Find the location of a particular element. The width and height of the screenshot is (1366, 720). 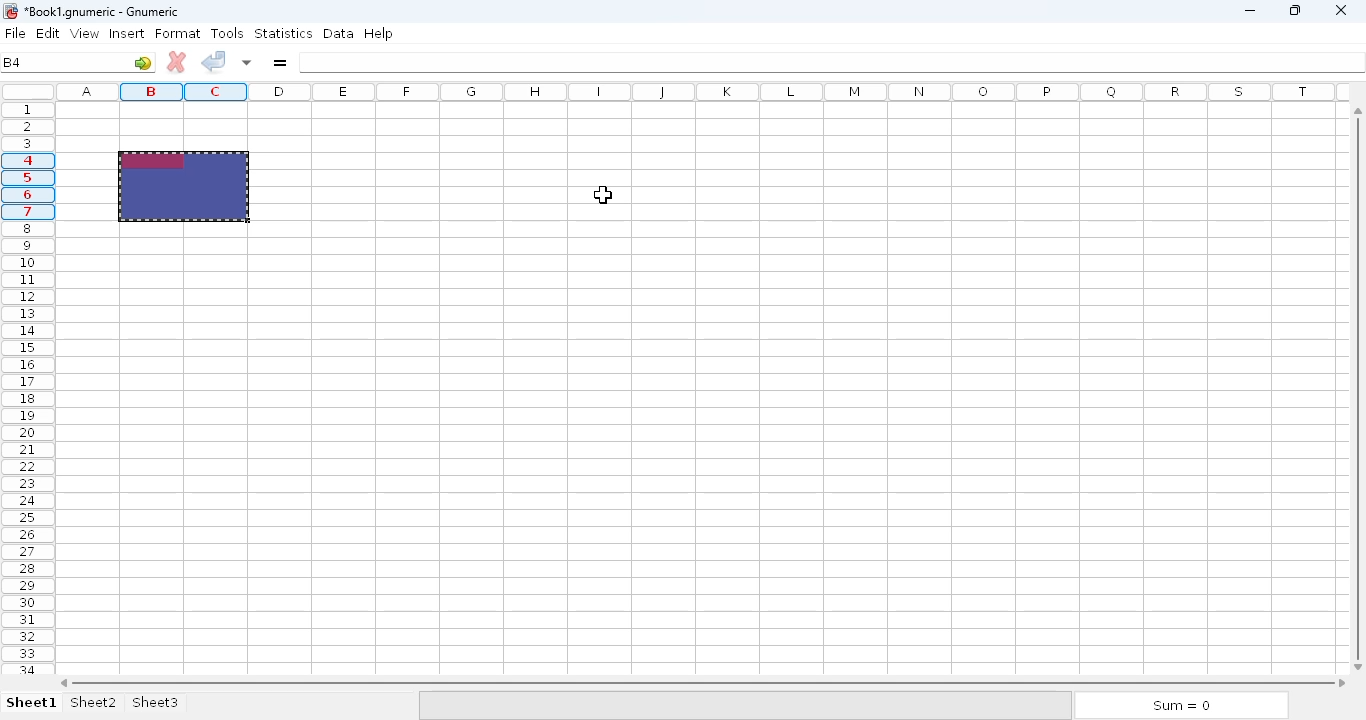

rows is located at coordinates (26, 390).